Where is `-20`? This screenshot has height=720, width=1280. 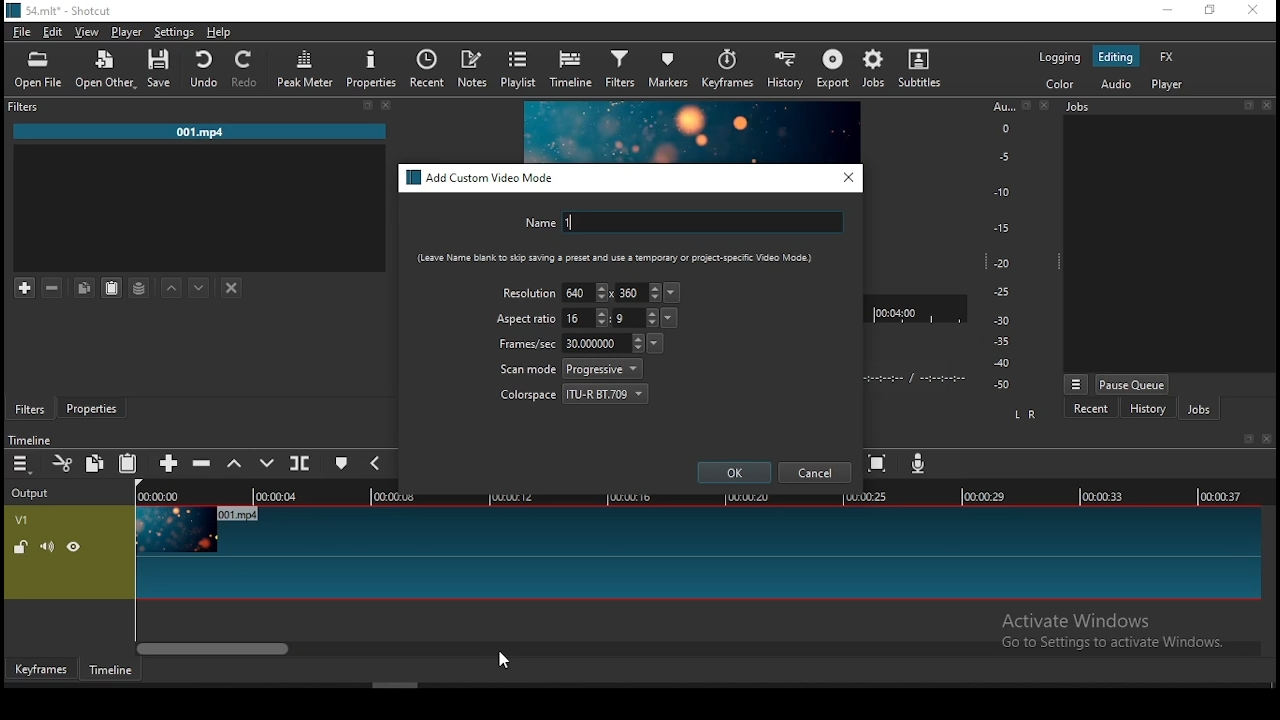 -20 is located at coordinates (1002, 263).